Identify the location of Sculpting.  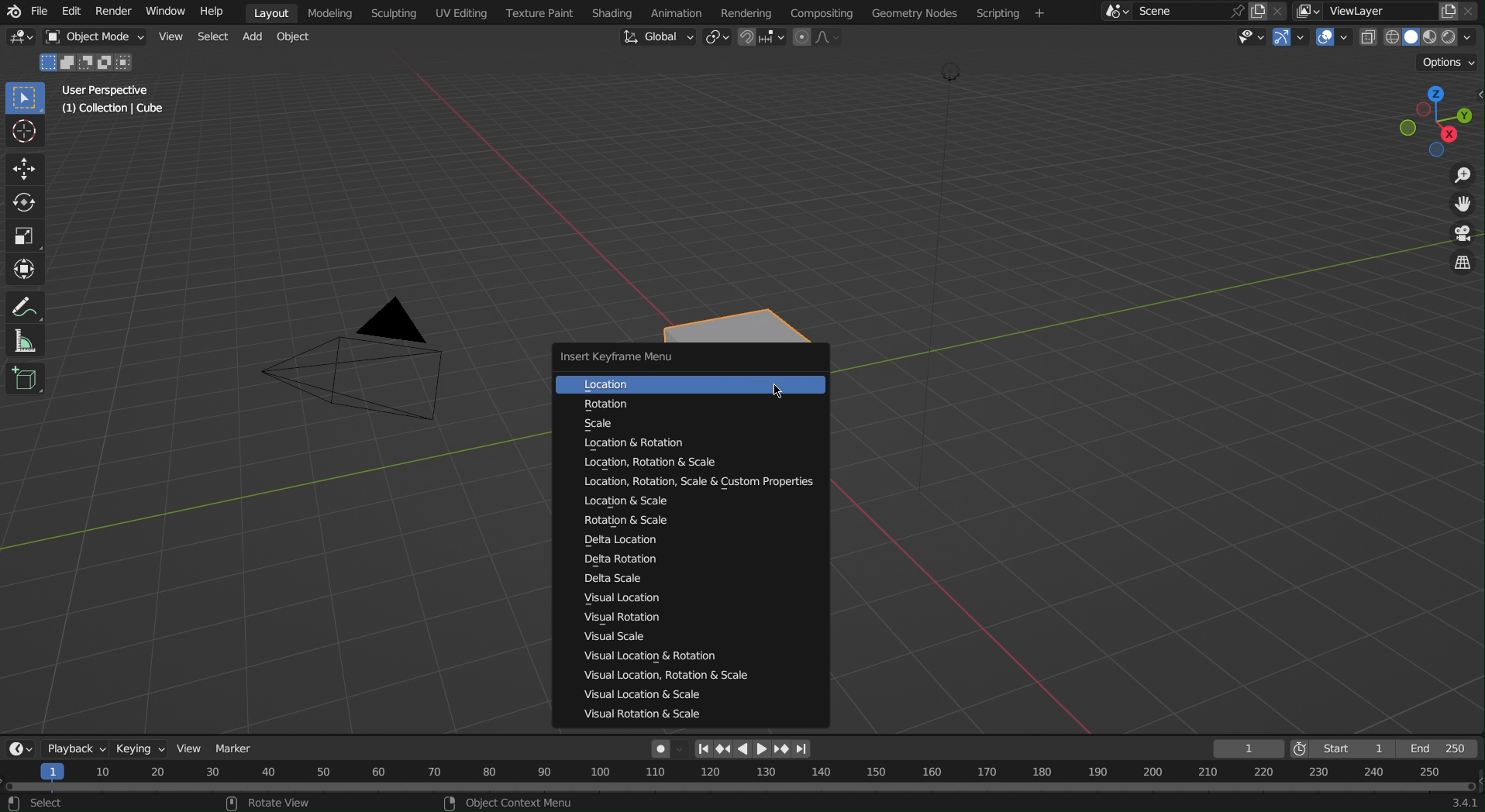
(392, 12).